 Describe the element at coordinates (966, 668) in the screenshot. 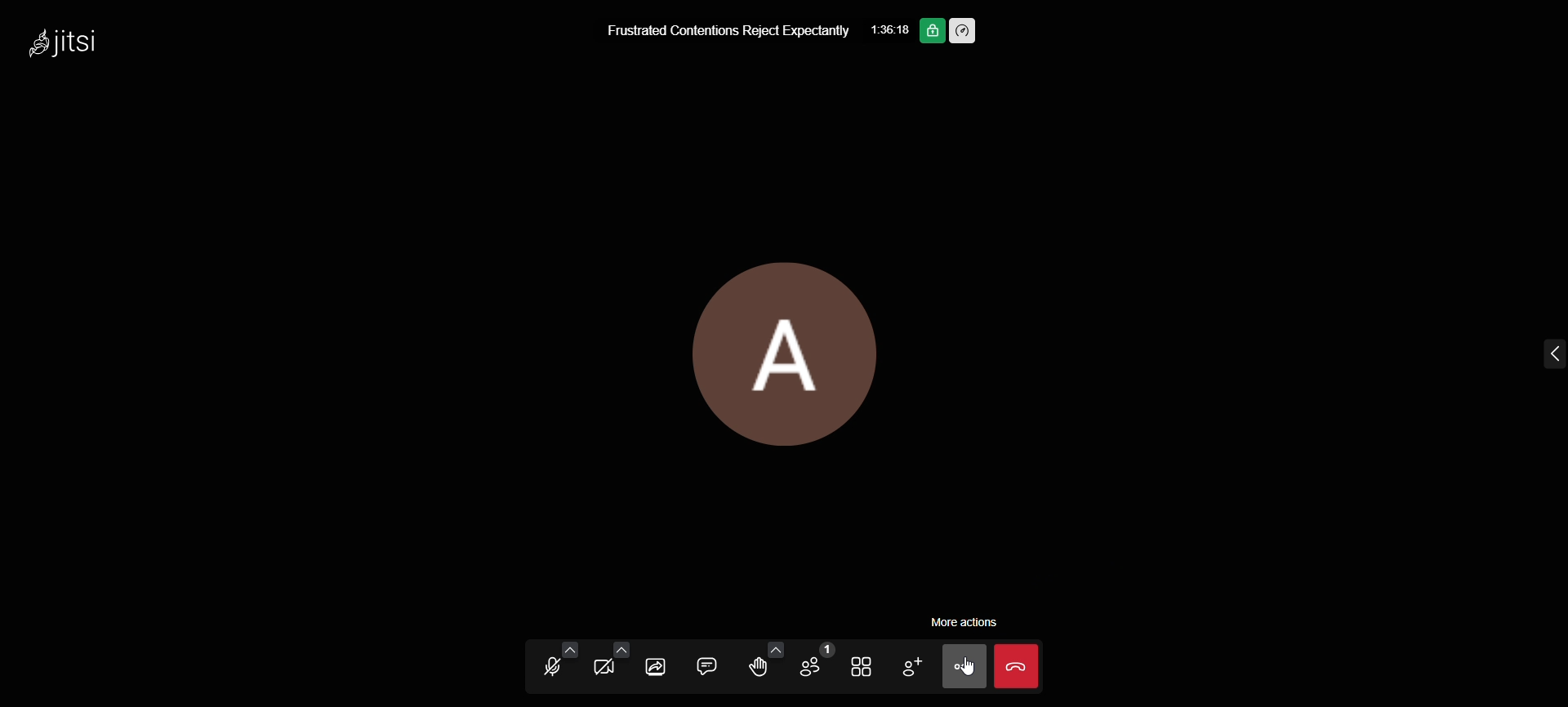

I see `more action` at that location.